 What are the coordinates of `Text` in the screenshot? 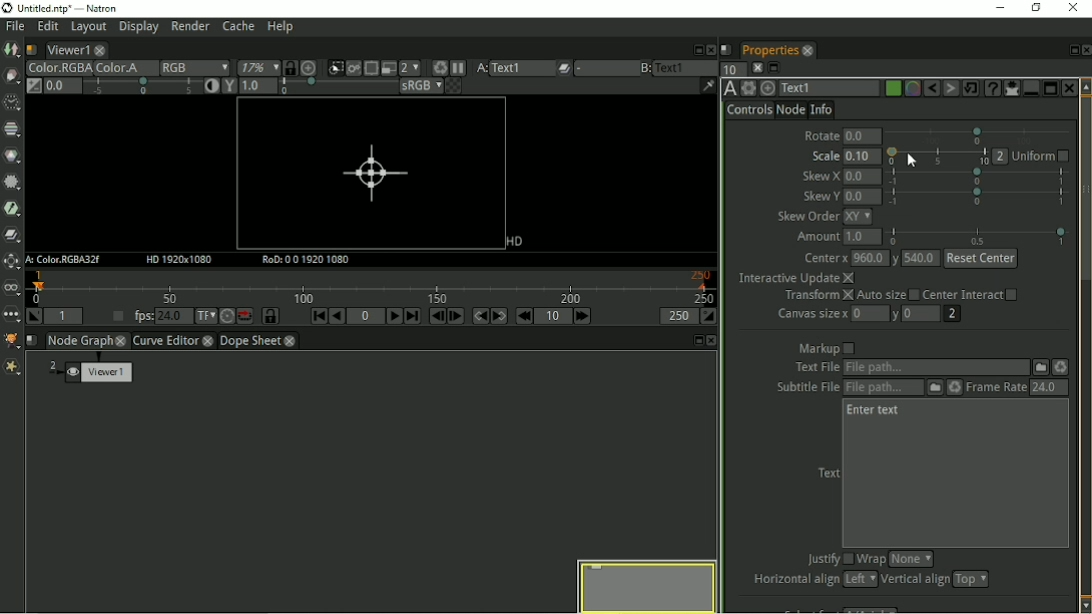 It's located at (814, 88).